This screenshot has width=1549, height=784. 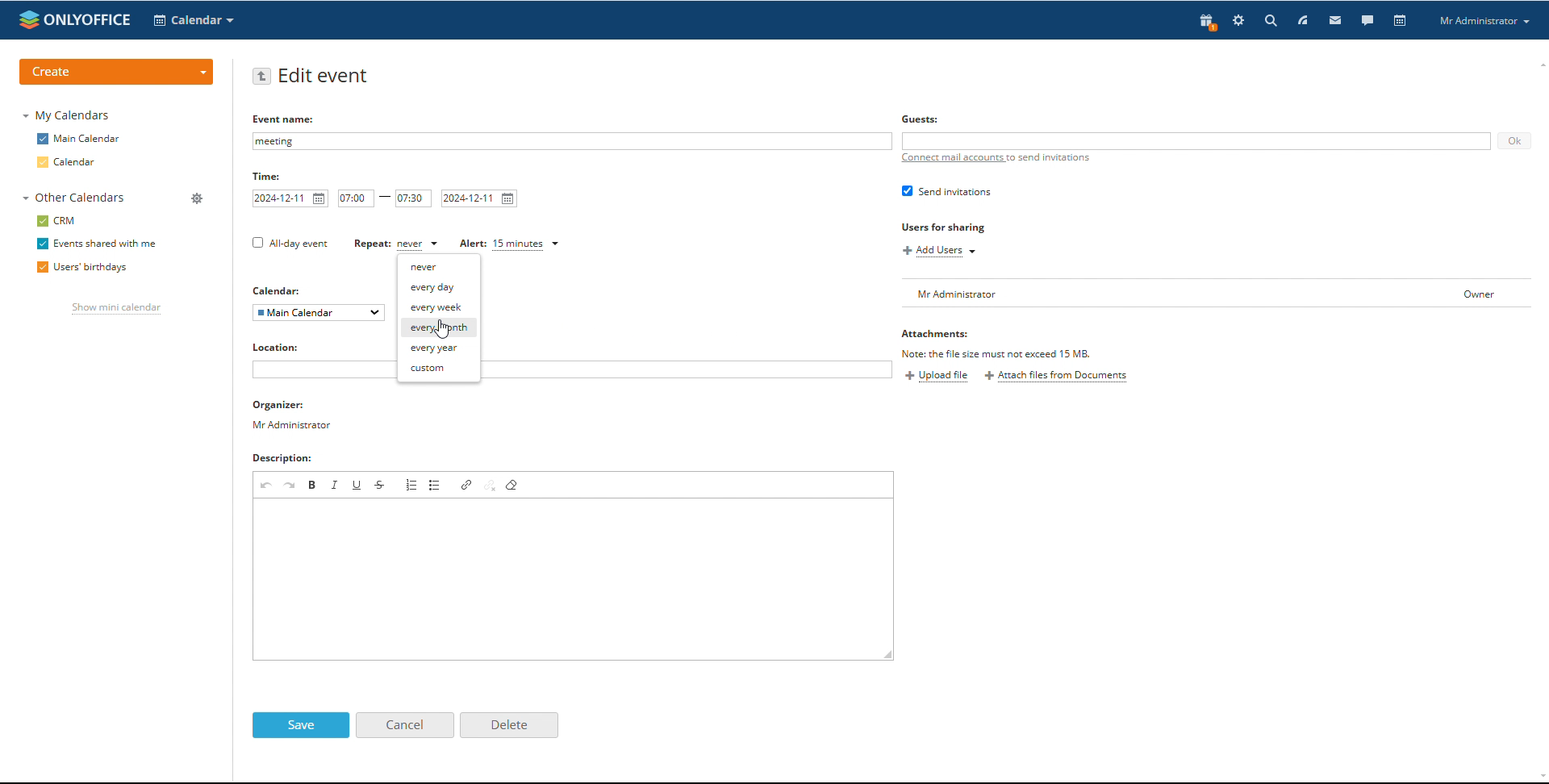 I want to click on alert type, so click(x=509, y=244).